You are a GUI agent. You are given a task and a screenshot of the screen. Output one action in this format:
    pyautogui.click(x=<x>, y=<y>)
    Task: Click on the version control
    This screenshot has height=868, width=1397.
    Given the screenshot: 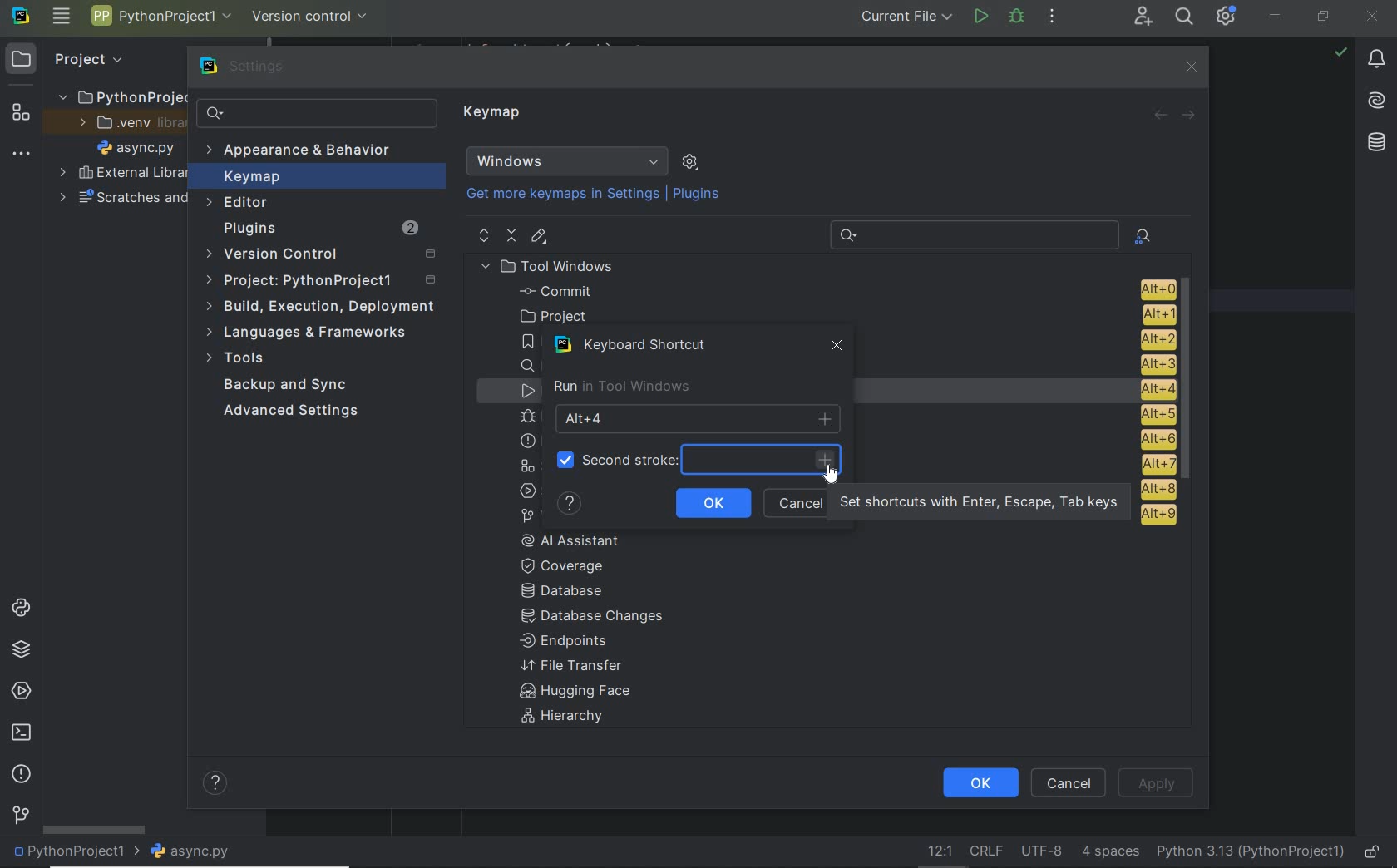 What is the action you would take?
    pyautogui.click(x=21, y=816)
    